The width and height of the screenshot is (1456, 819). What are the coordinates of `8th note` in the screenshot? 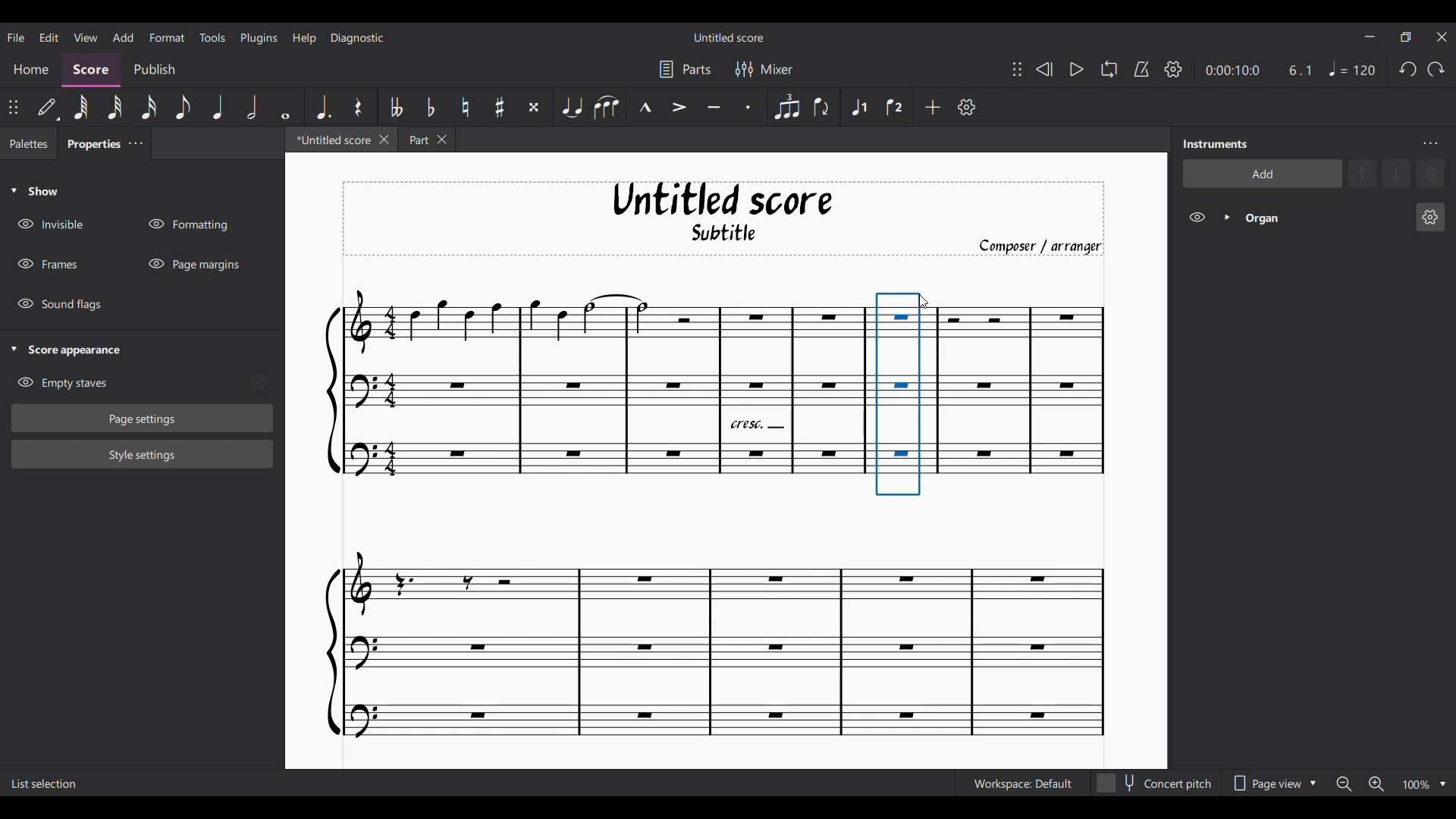 It's located at (183, 108).